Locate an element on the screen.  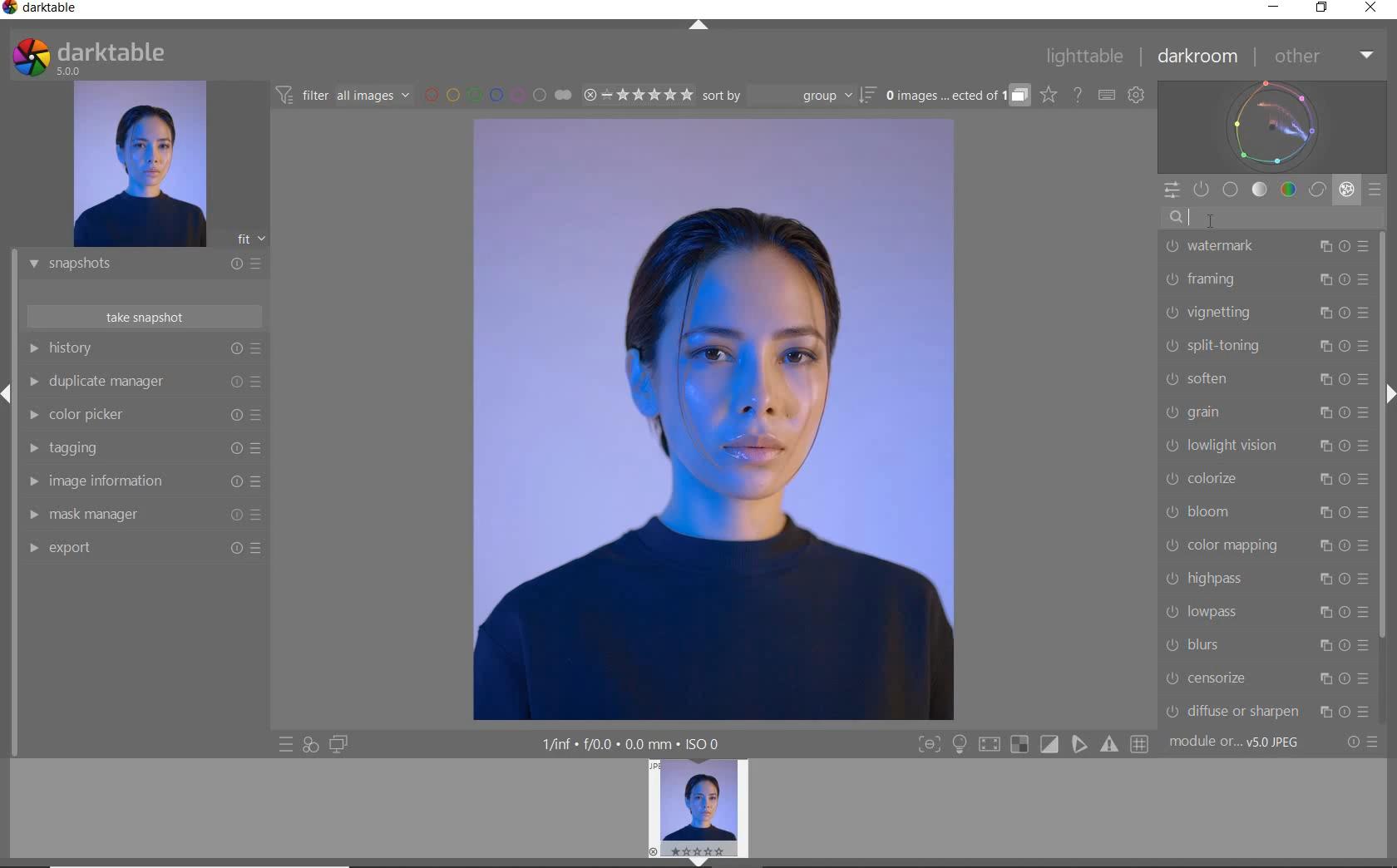
COLOR is located at coordinates (1289, 189).